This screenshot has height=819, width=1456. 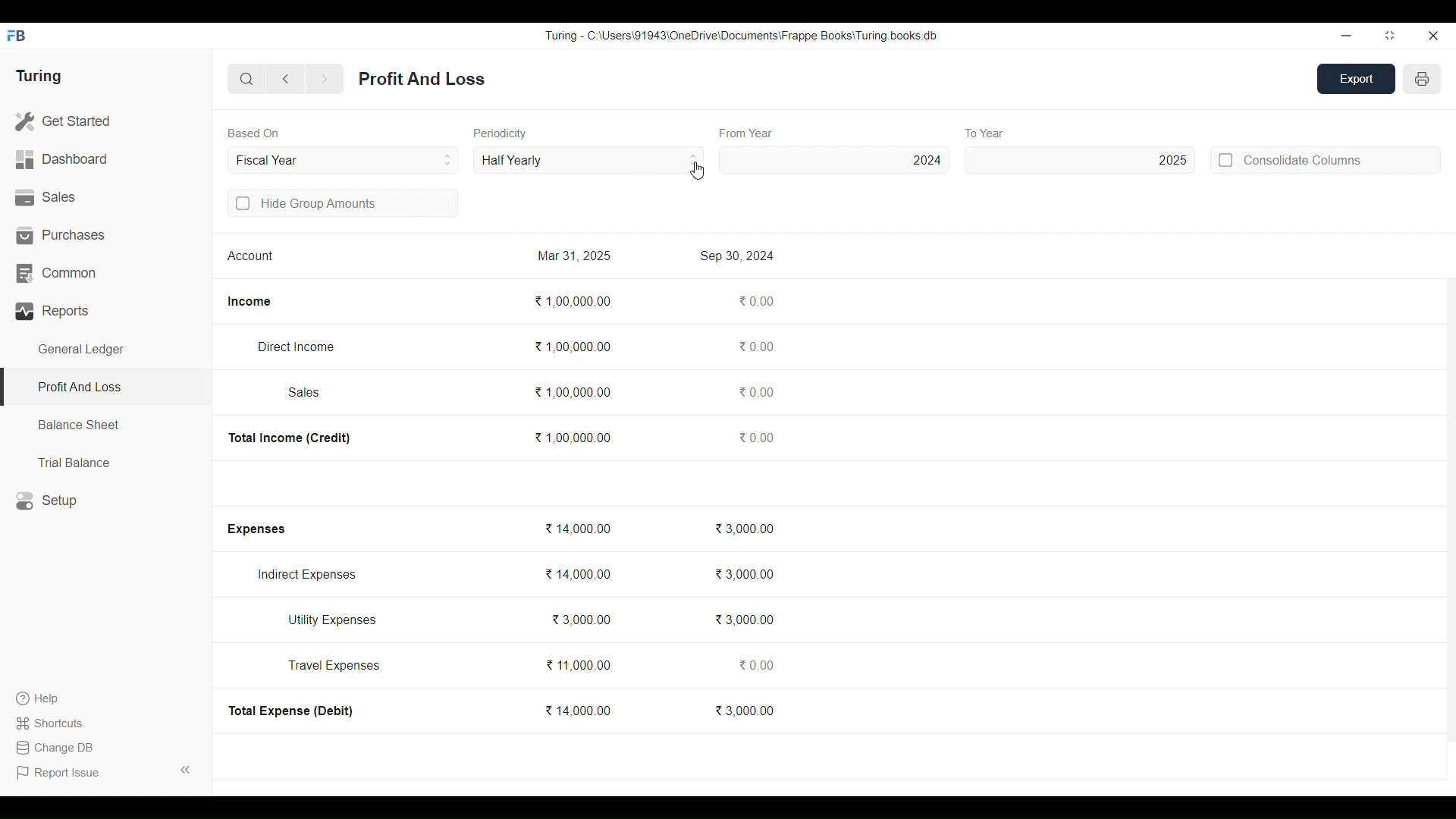 What do you see at coordinates (307, 575) in the screenshot?
I see `Indirect Expenses` at bounding box center [307, 575].